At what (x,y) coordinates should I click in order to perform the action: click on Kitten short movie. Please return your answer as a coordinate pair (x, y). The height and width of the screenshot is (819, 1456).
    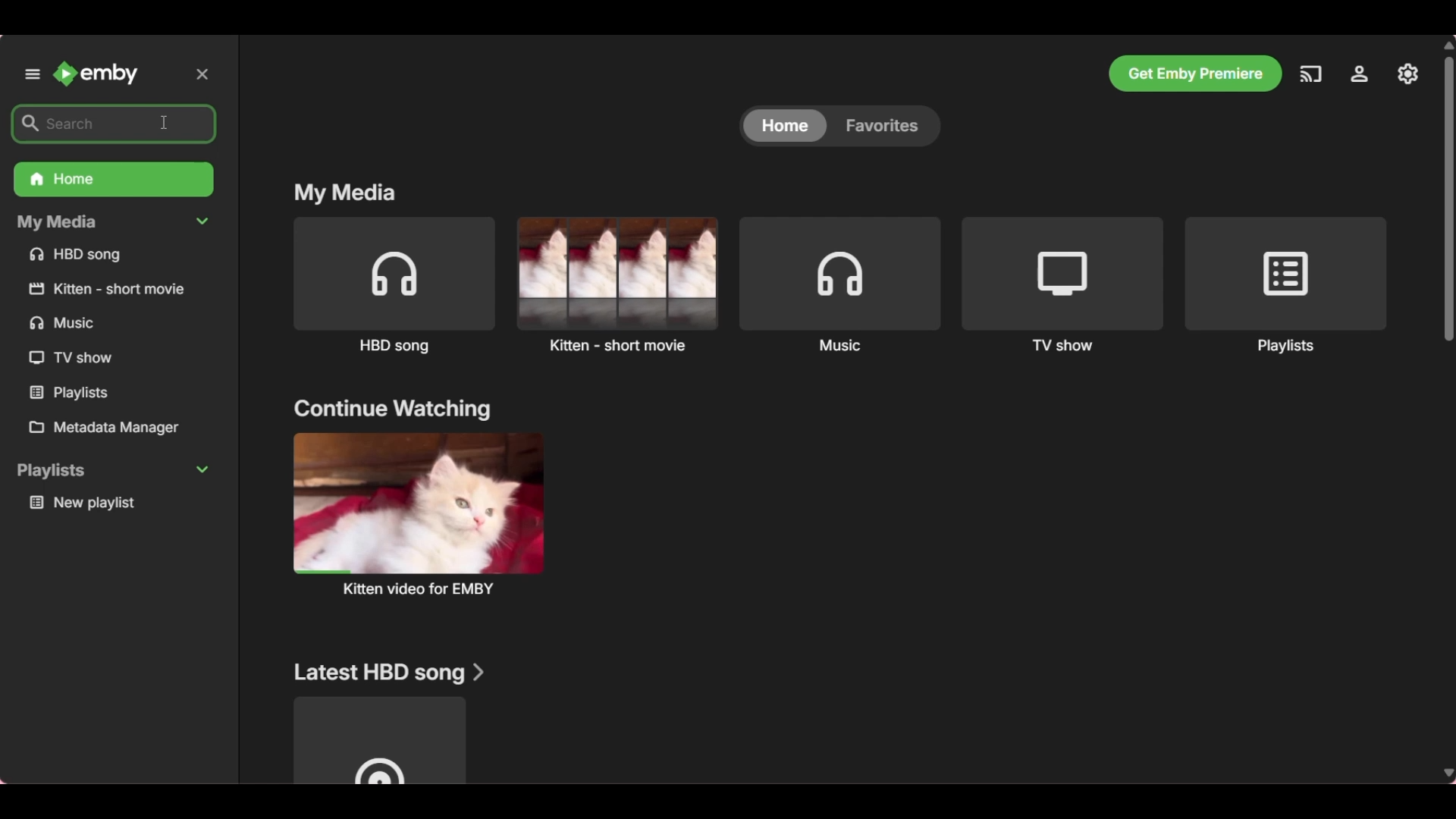
    Looking at the image, I should click on (617, 284).